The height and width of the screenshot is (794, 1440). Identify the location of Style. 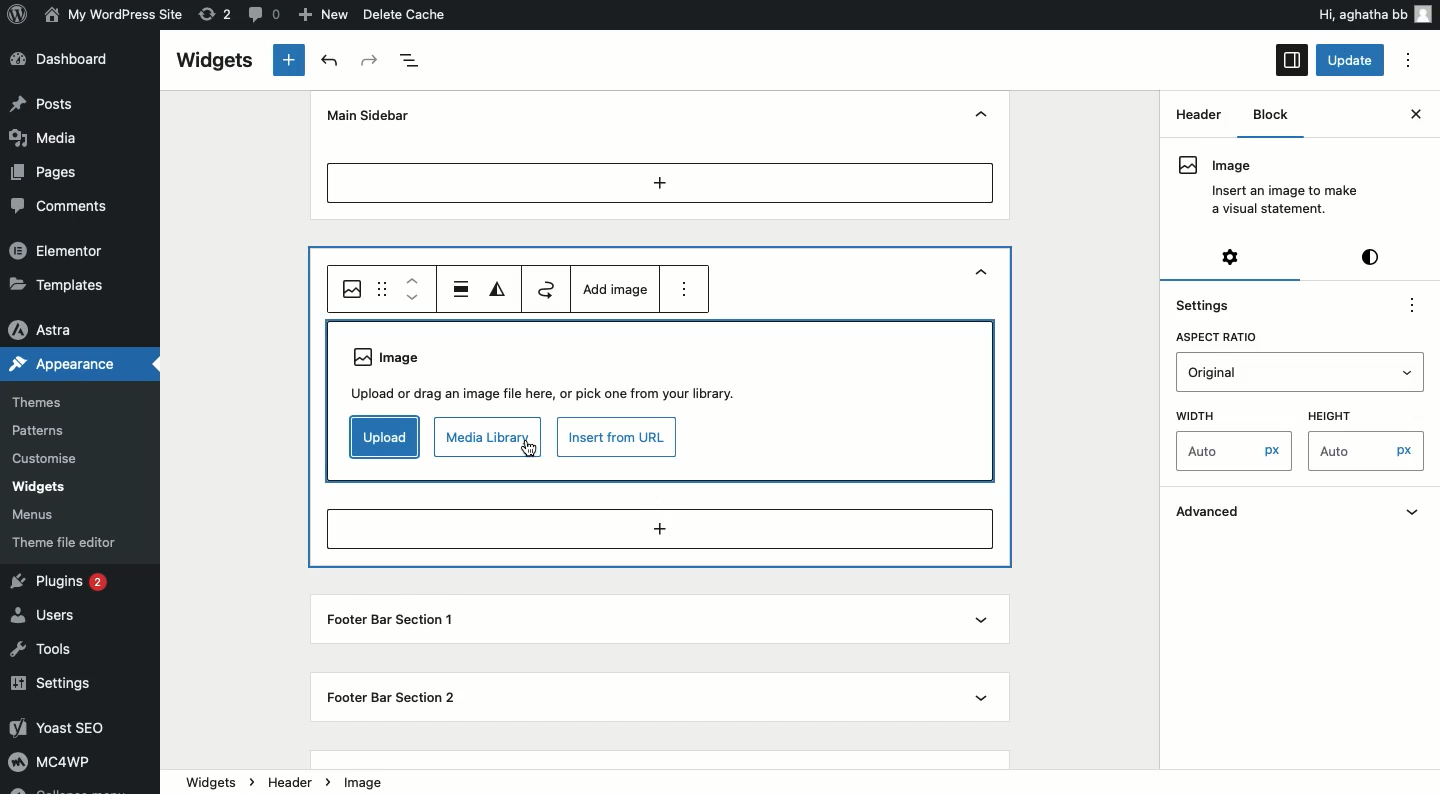
(1373, 256).